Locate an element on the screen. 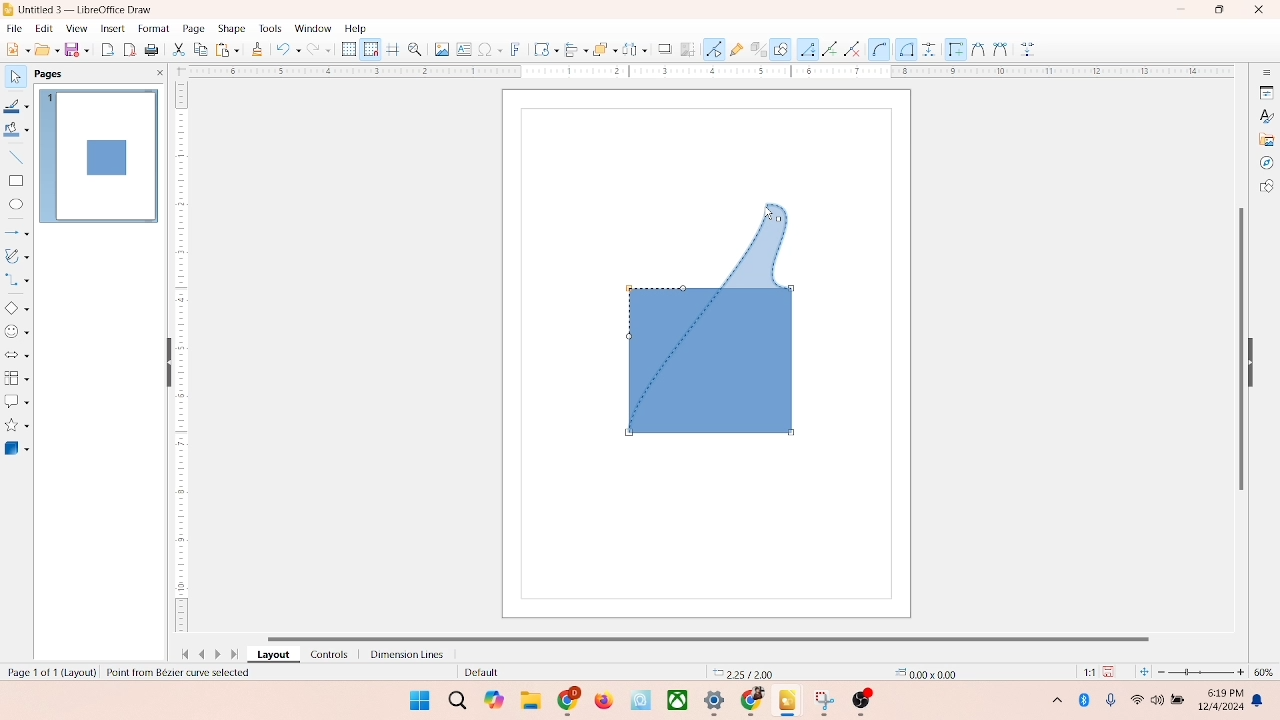  hide is located at coordinates (165, 364).